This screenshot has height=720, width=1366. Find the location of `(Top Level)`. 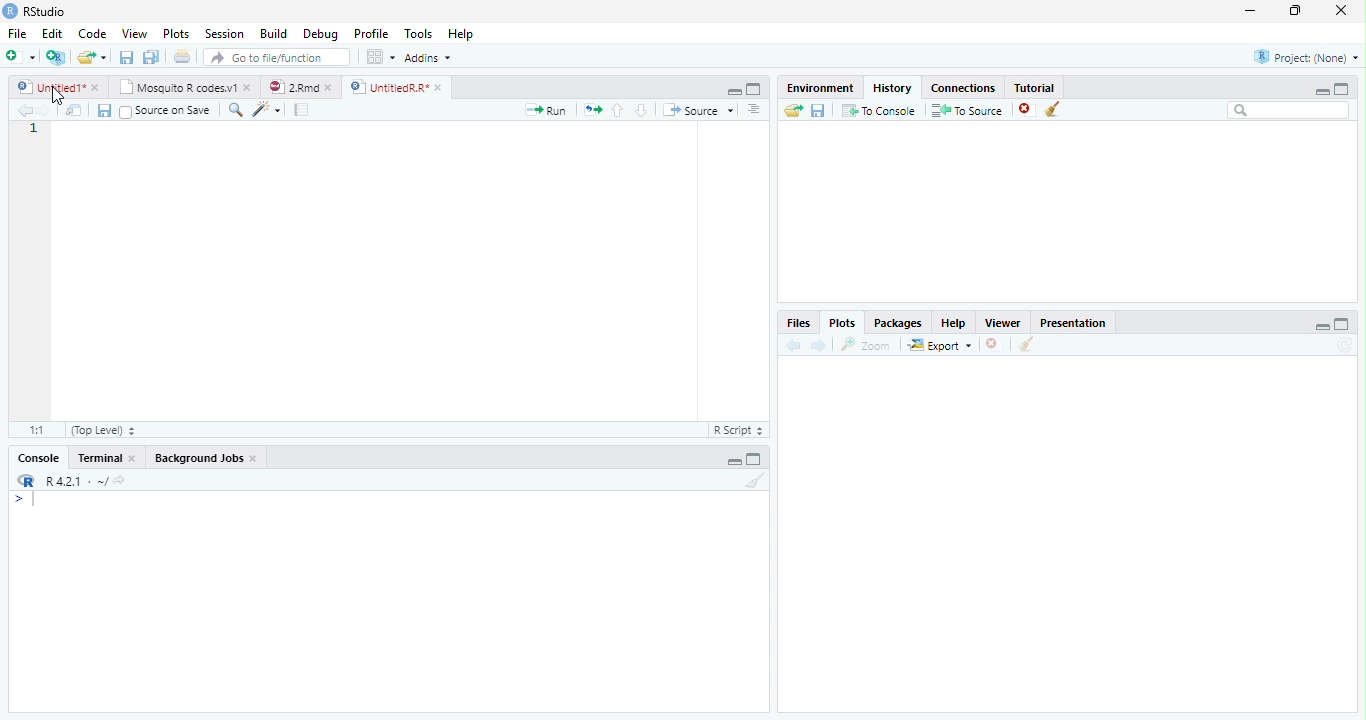

(Top Level) is located at coordinates (105, 430).